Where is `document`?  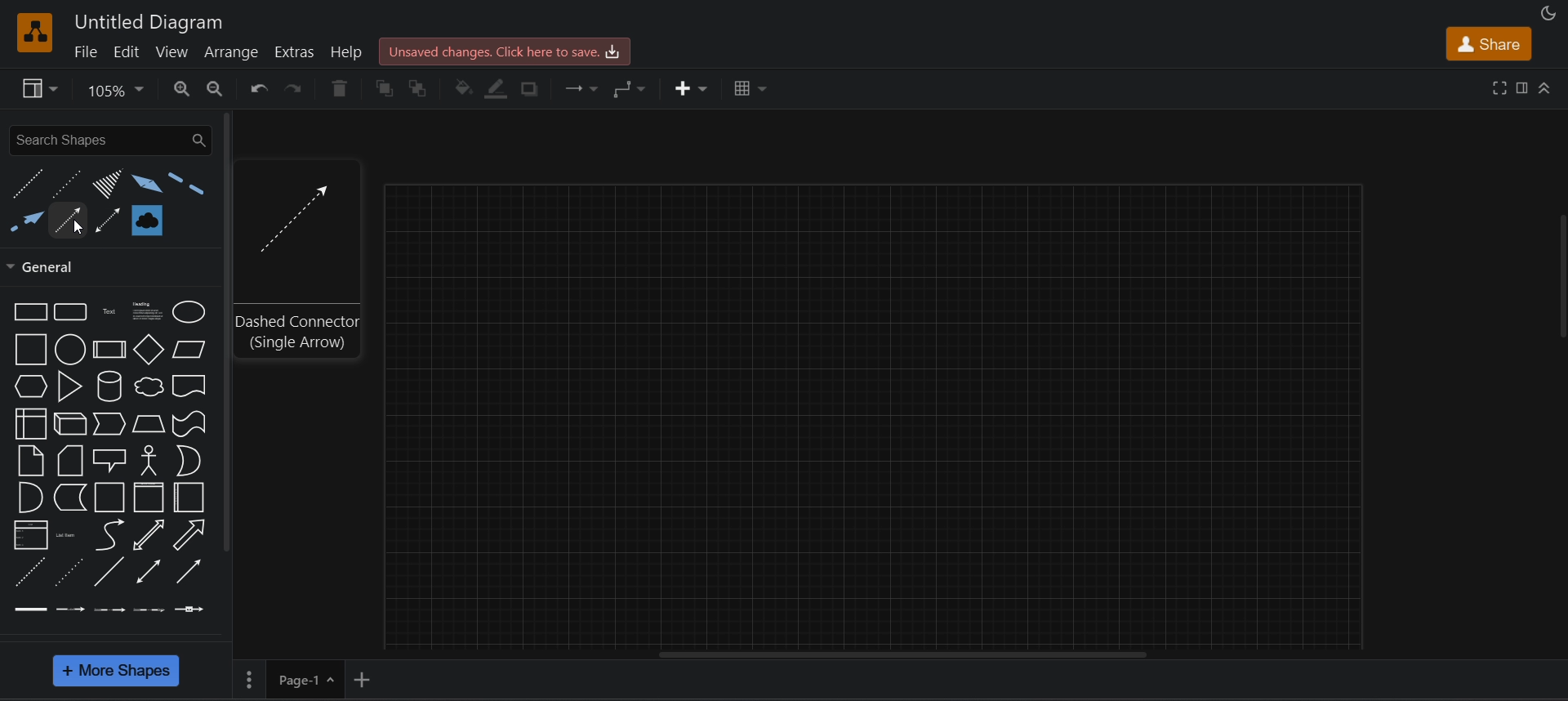 document is located at coordinates (190, 386).